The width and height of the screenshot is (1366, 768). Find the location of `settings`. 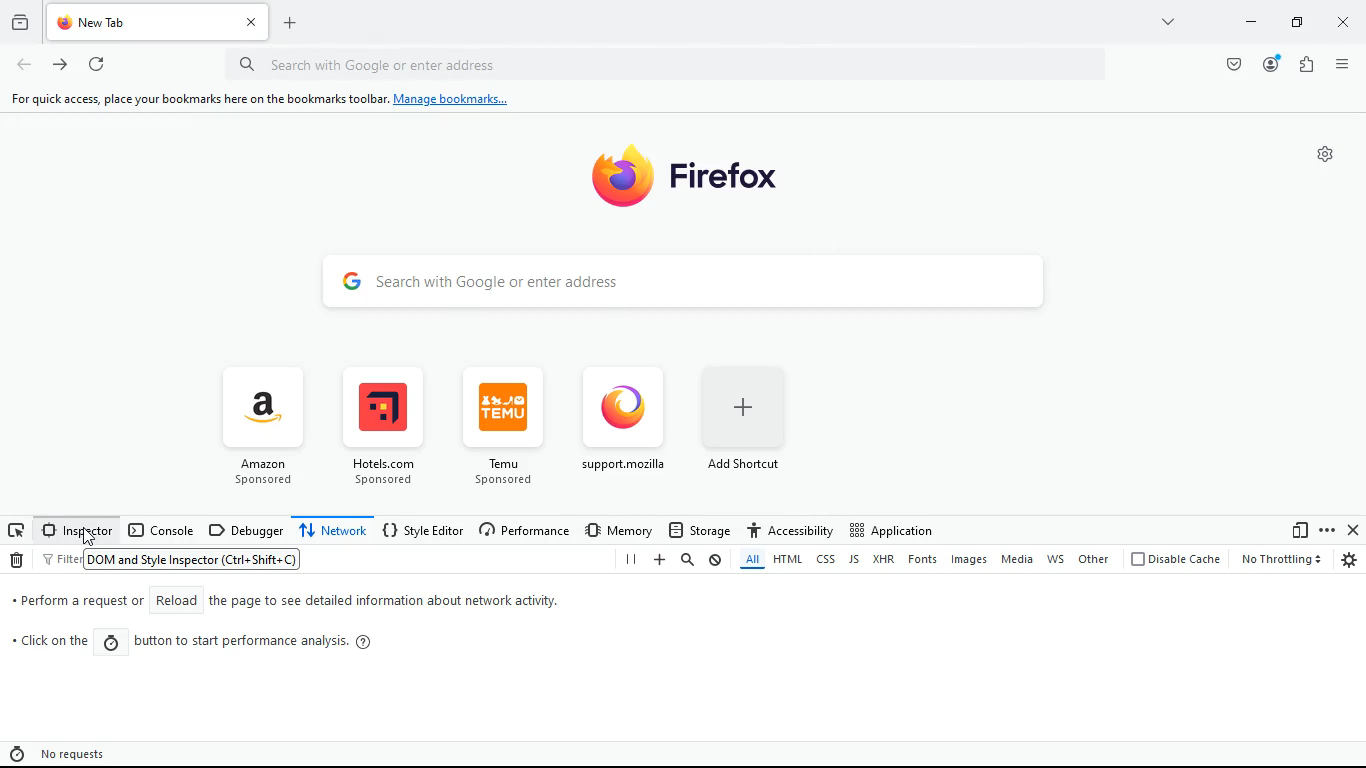

settings is located at coordinates (1326, 154).